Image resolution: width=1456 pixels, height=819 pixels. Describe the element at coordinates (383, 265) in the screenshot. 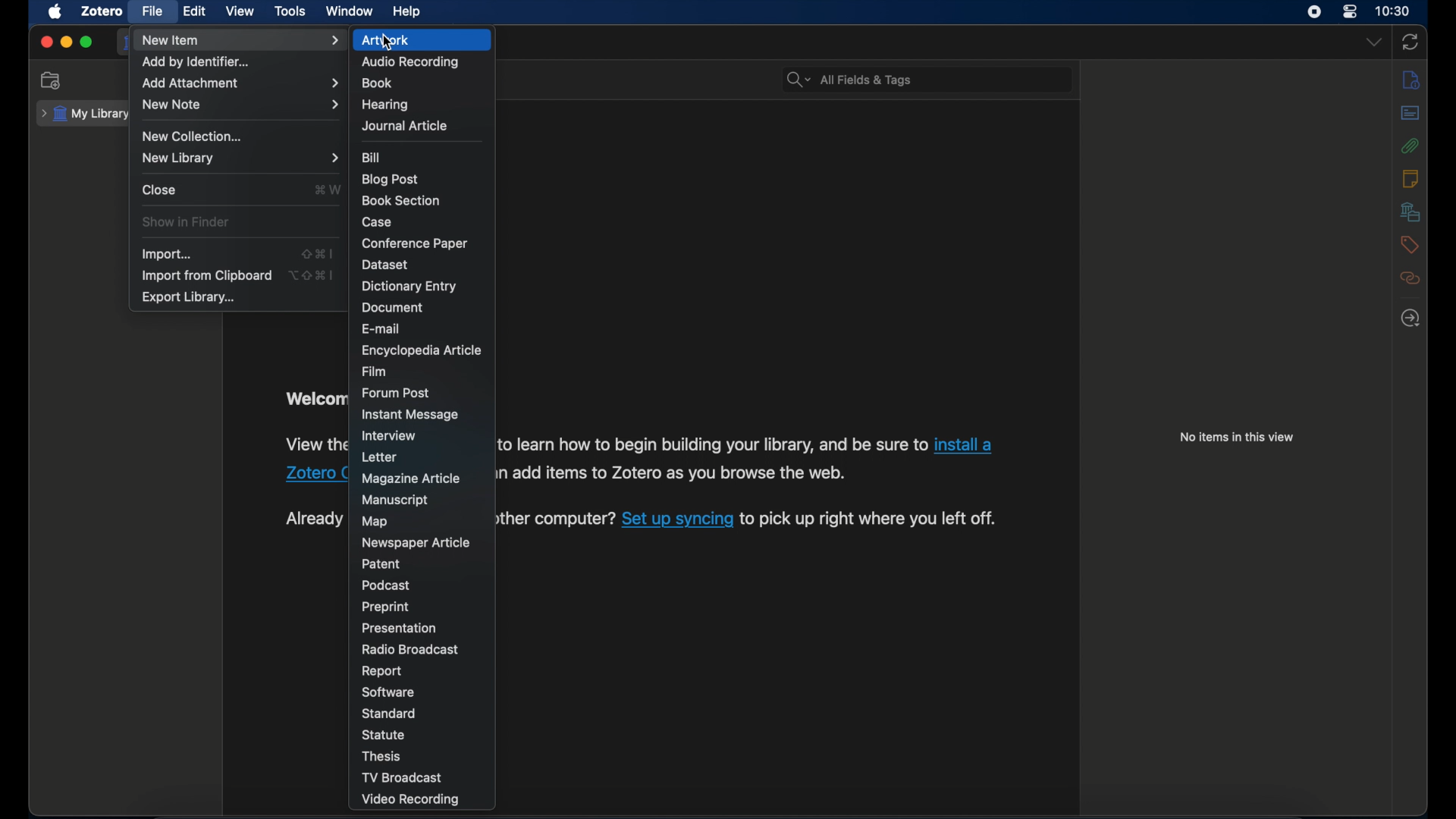

I see `dataset` at that location.